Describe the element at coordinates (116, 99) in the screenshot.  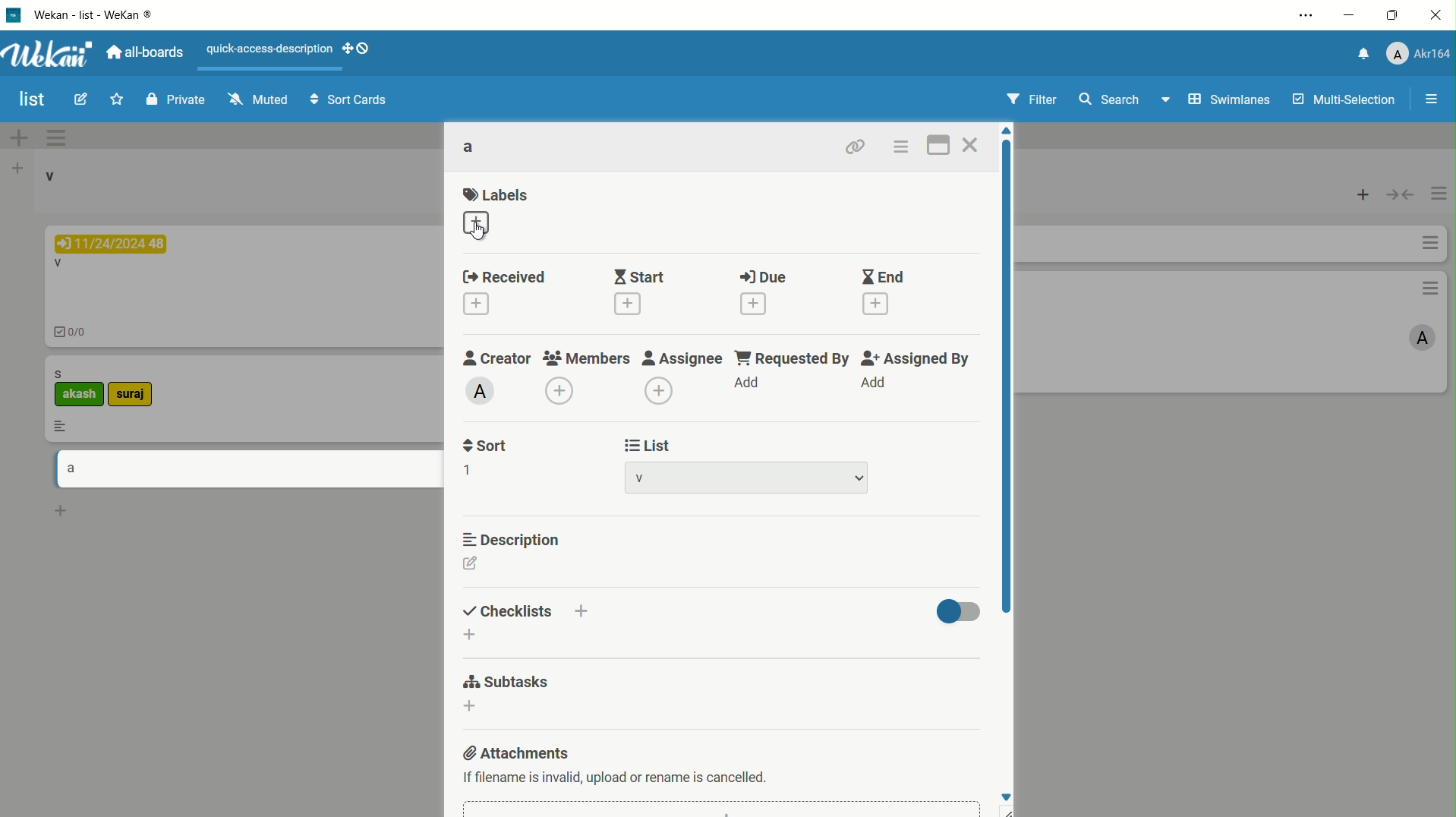
I see `star` at that location.